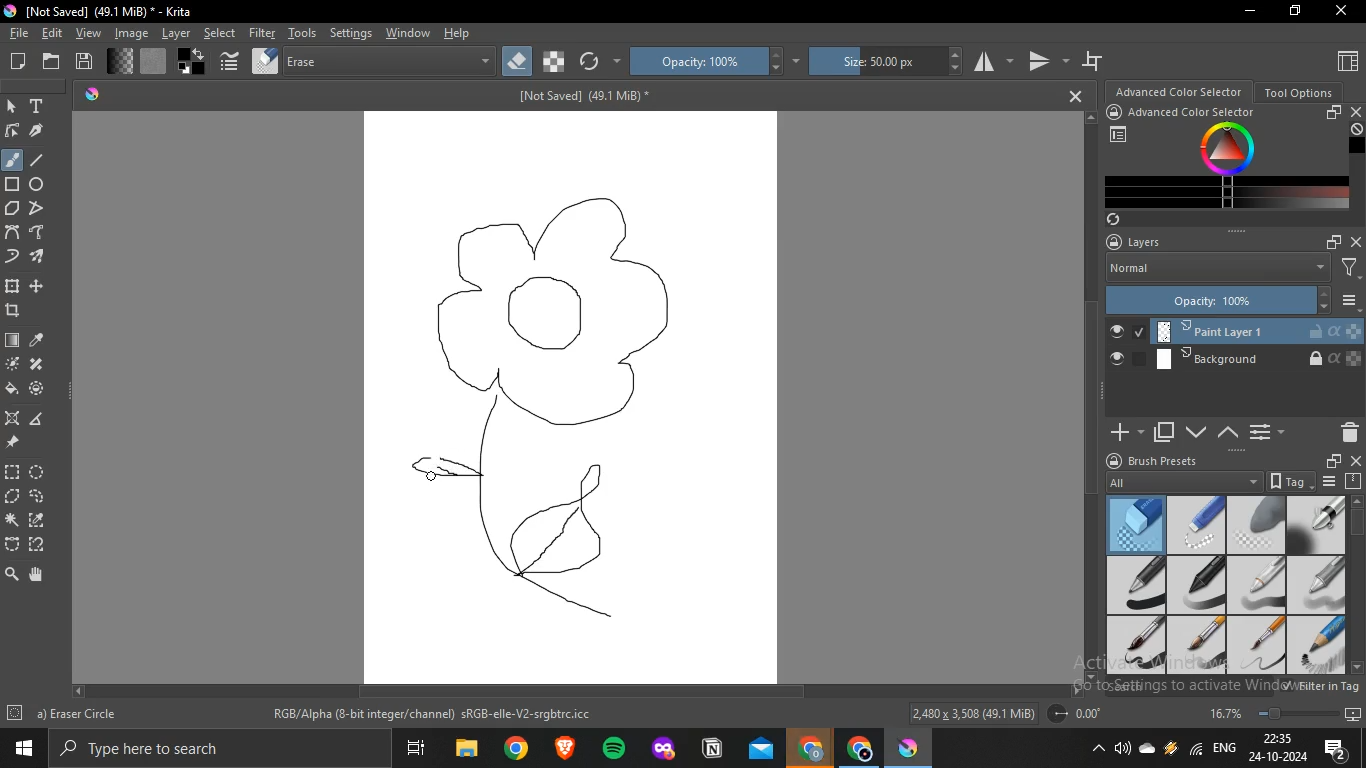 The width and height of the screenshot is (1366, 768). What do you see at coordinates (12, 388) in the screenshot?
I see `fill selection` at bounding box center [12, 388].